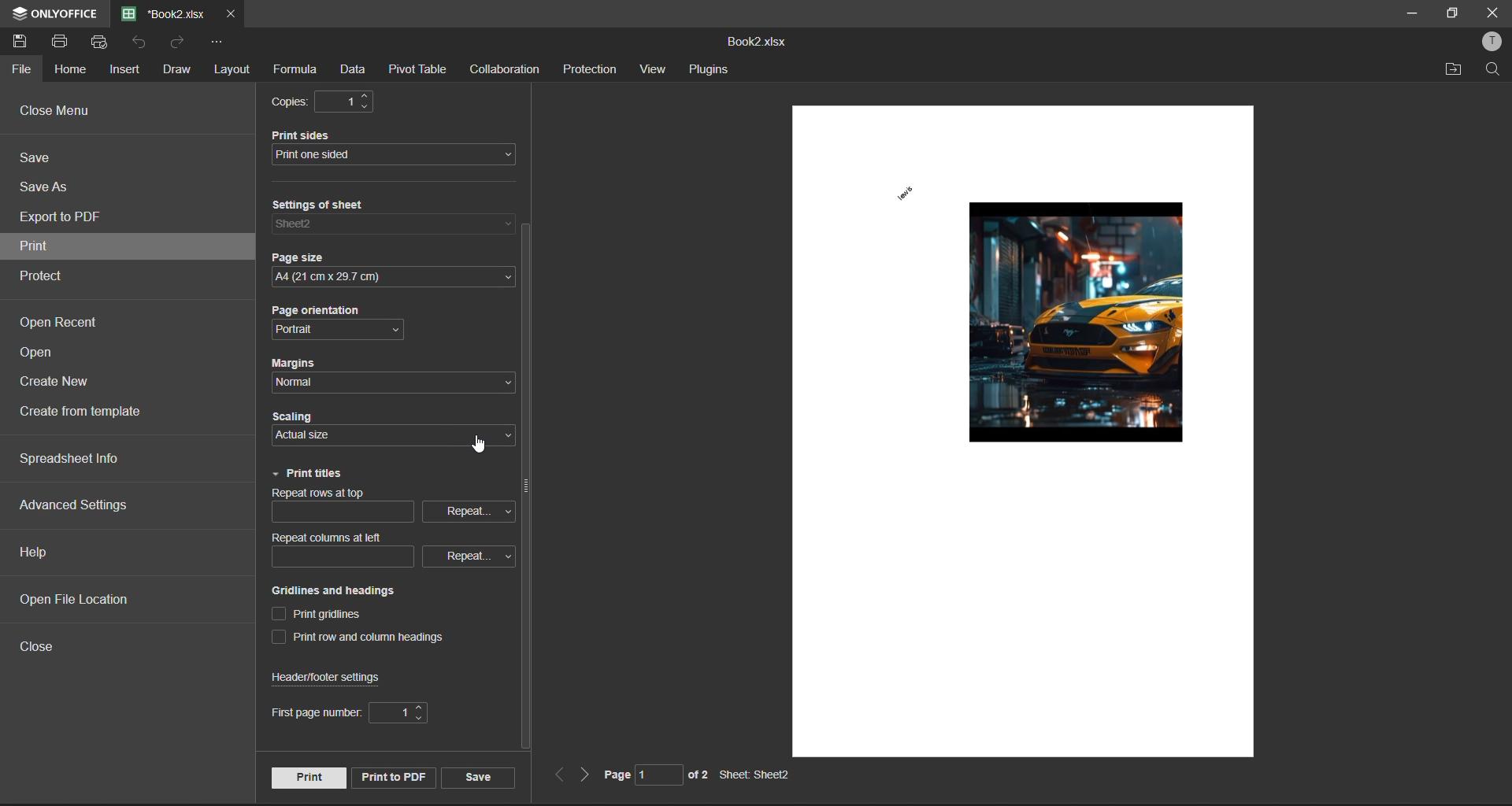 This screenshot has height=806, width=1512. I want to click on open record, so click(61, 323).